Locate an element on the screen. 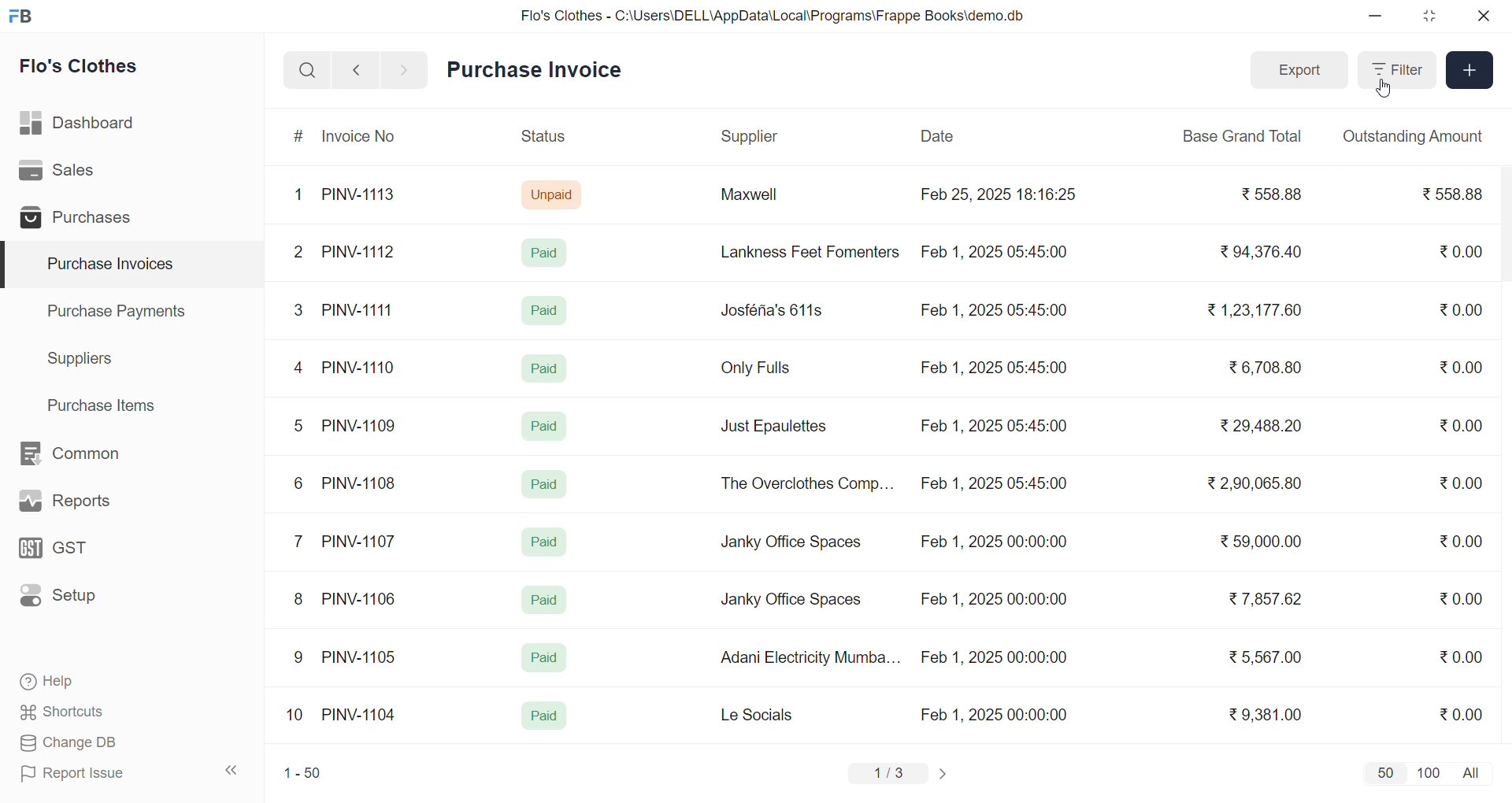  The Overclothes Comp... is located at coordinates (805, 483).